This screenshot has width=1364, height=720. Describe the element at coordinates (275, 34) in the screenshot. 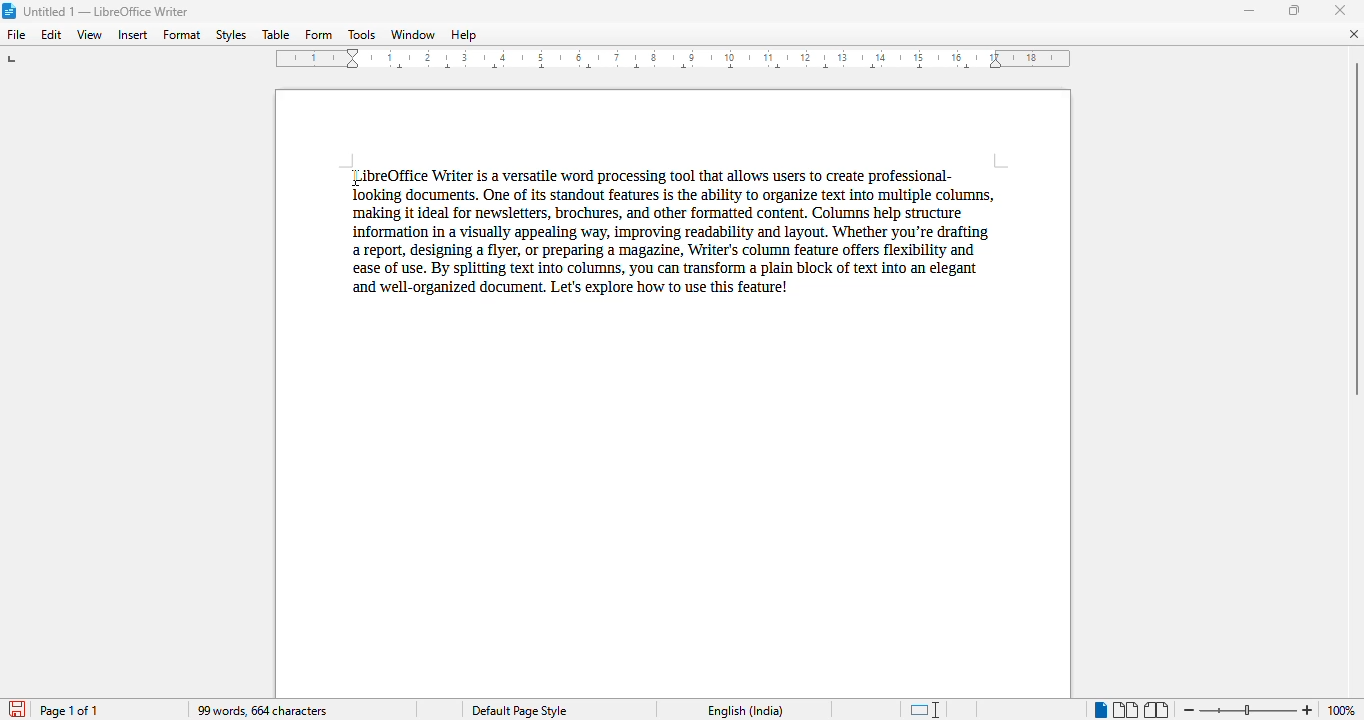

I see `table` at that location.